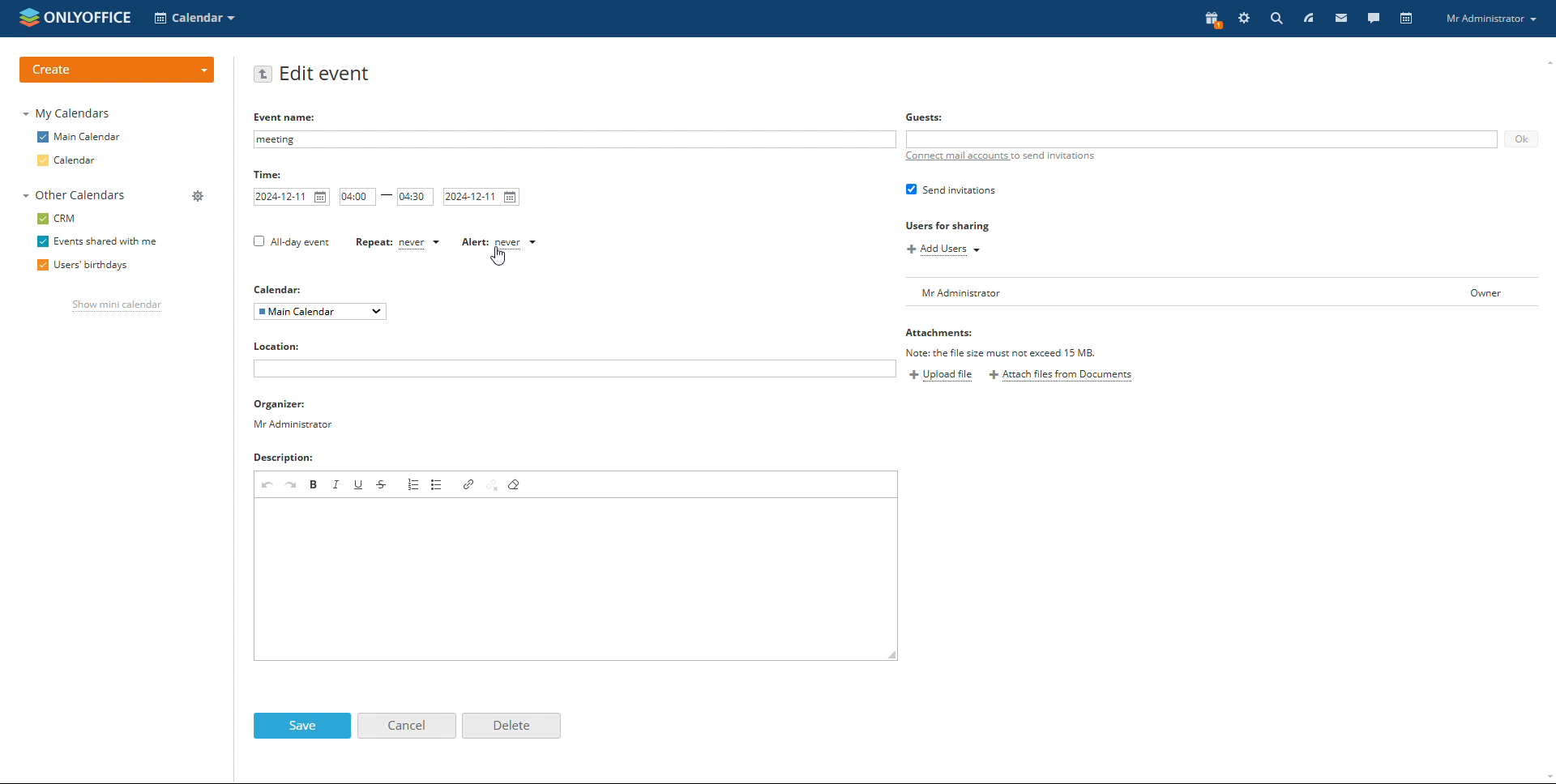 The width and height of the screenshot is (1556, 784). I want to click on add guests, so click(1202, 139).